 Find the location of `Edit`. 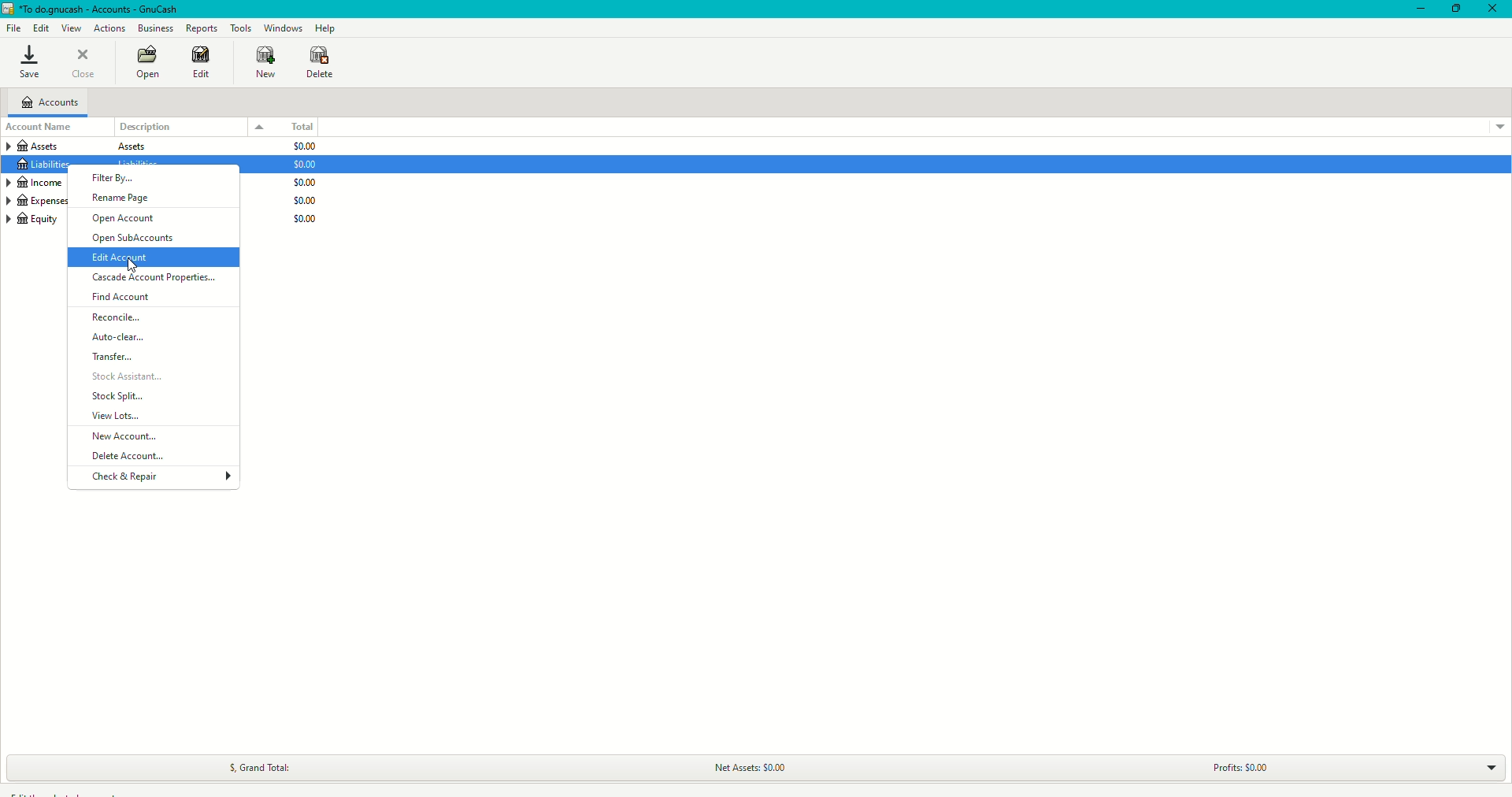

Edit is located at coordinates (200, 66).